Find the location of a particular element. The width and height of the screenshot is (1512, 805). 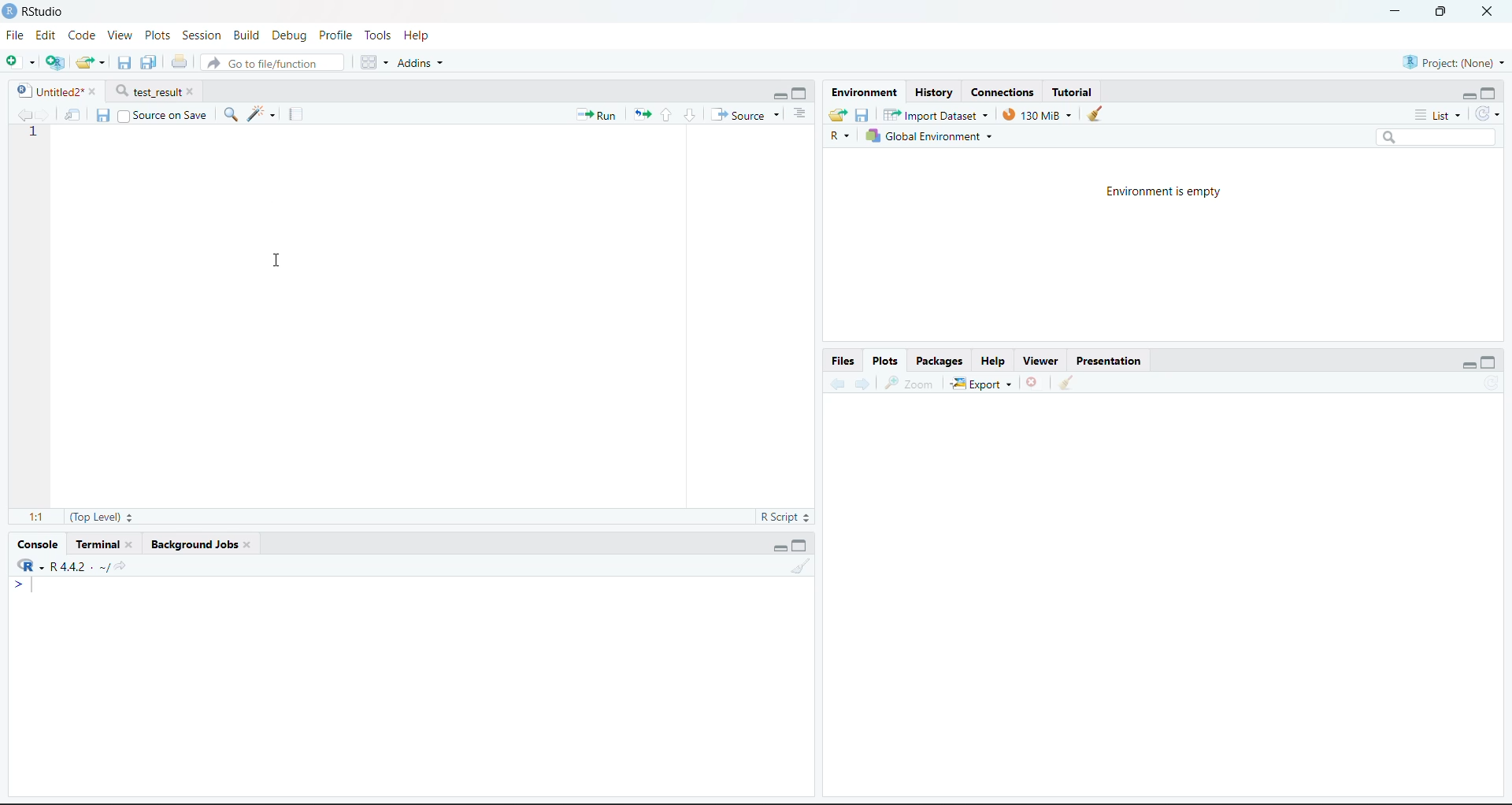

Go to next section/chunk (Ctrl + pgDn) is located at coordinates (689, 114).